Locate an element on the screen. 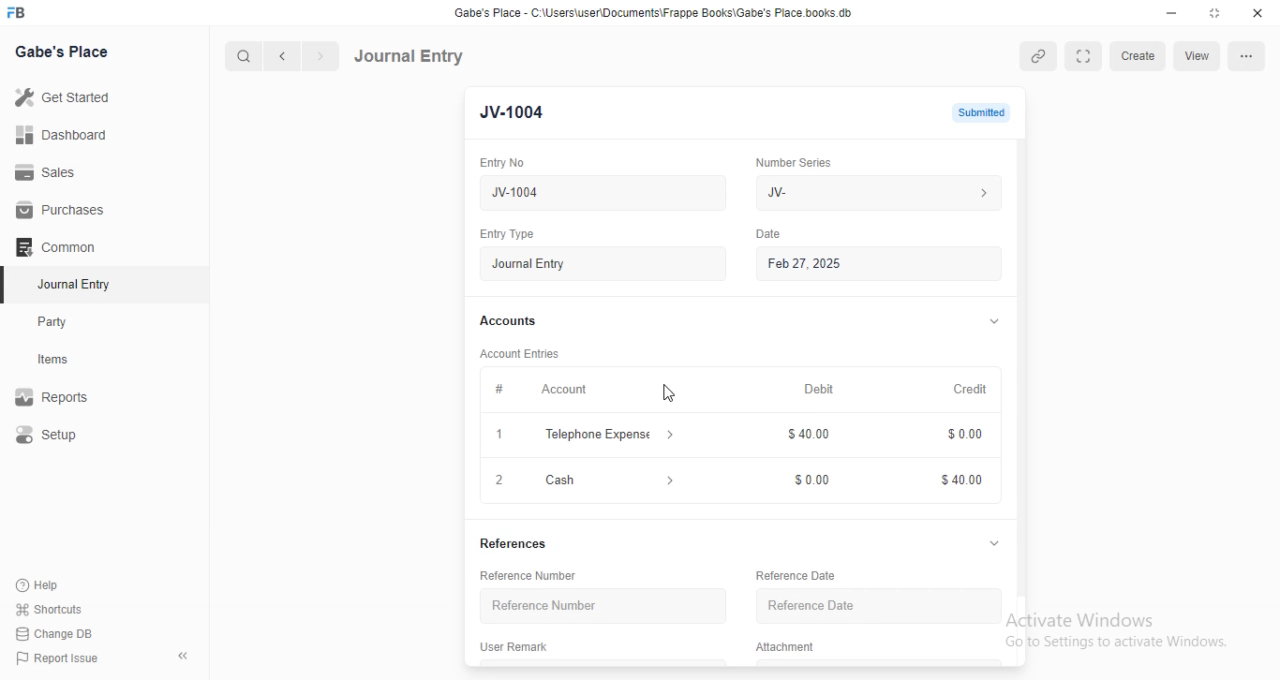  Previous is located at coordinates (283, 57).